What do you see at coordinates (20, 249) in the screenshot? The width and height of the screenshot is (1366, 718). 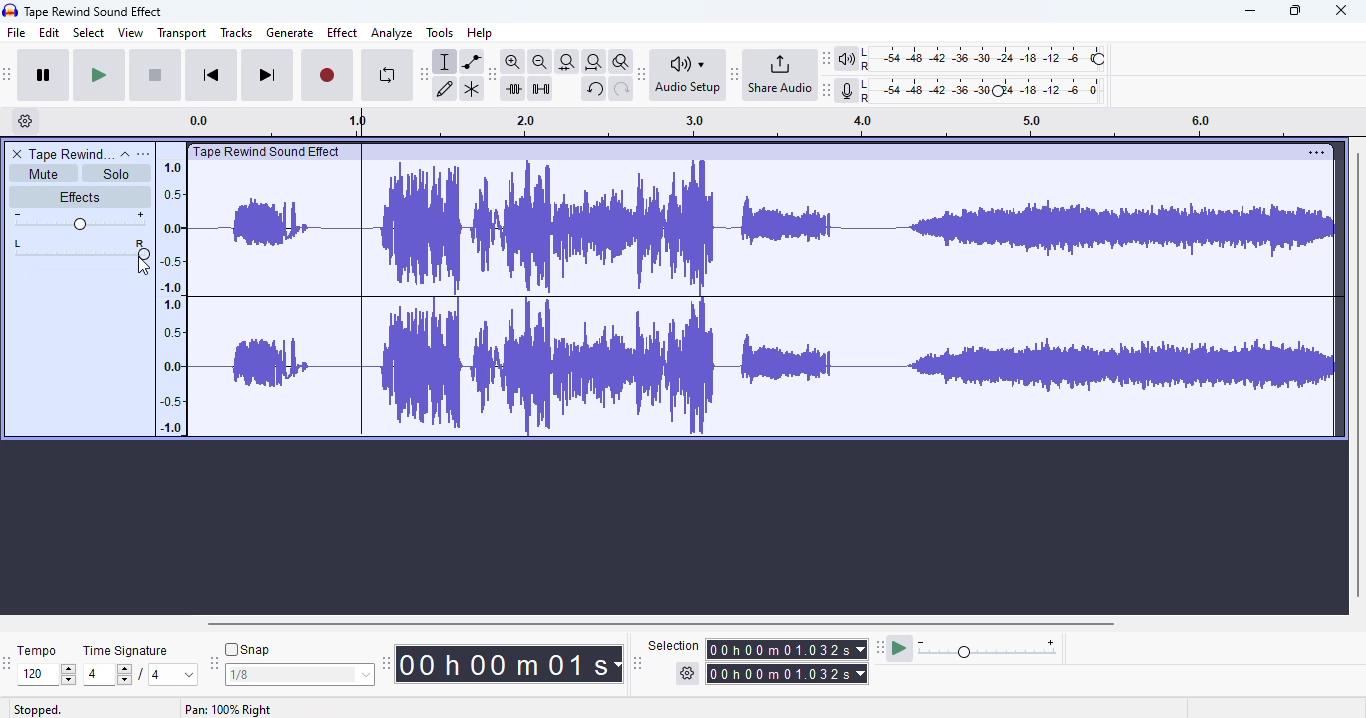 I see `pan left` at bounding box center [20, 249].